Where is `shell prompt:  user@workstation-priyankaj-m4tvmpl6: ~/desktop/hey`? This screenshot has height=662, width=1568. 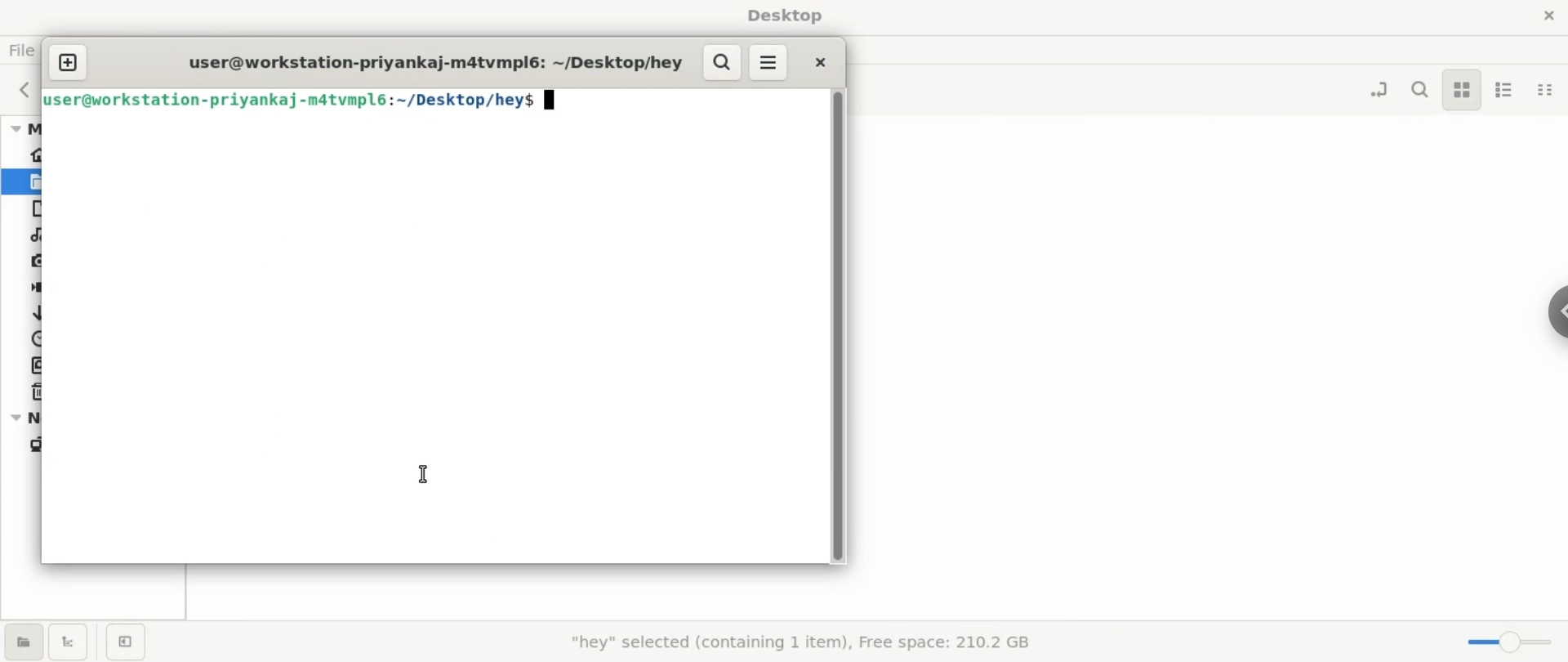
shell prompt:  user@workstation-priyankaj-m4tvmpl6: ~/desktop/hey is located at coordinates (305, 104).